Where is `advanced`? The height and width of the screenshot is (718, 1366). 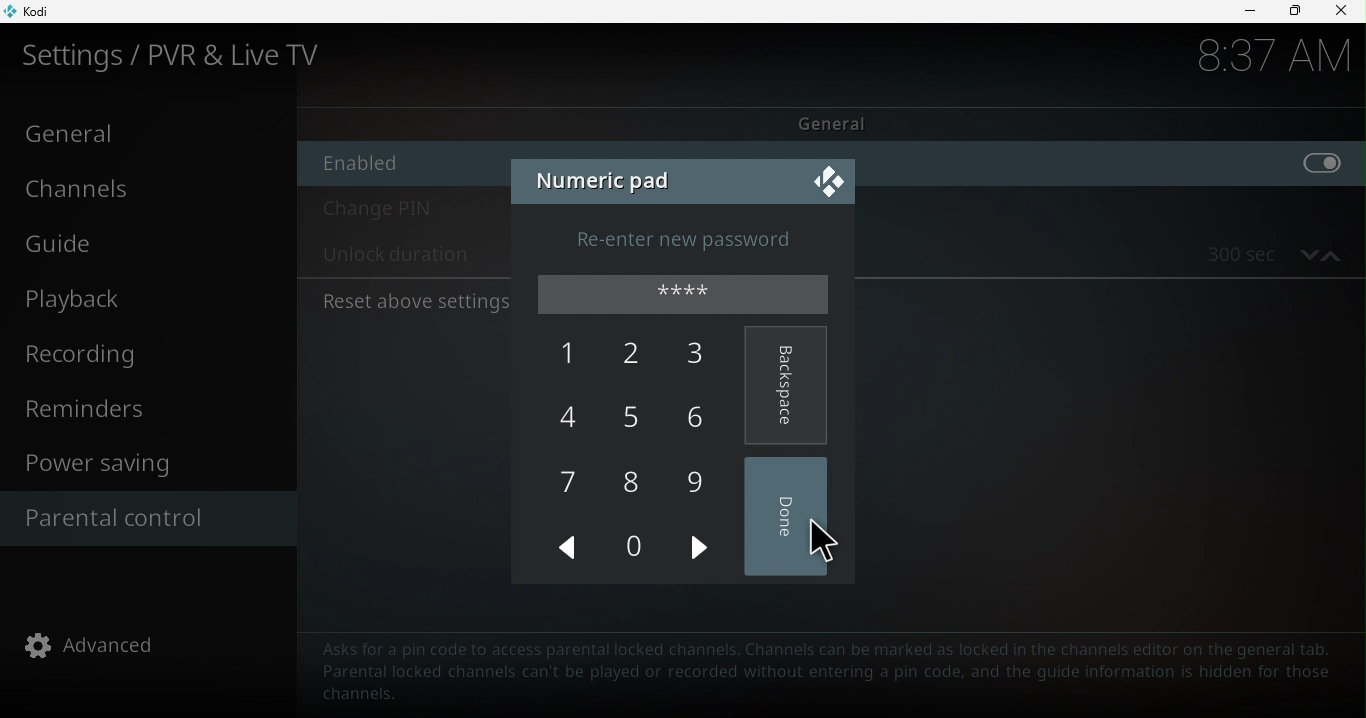 advanced is located at coordinates (95, 646).